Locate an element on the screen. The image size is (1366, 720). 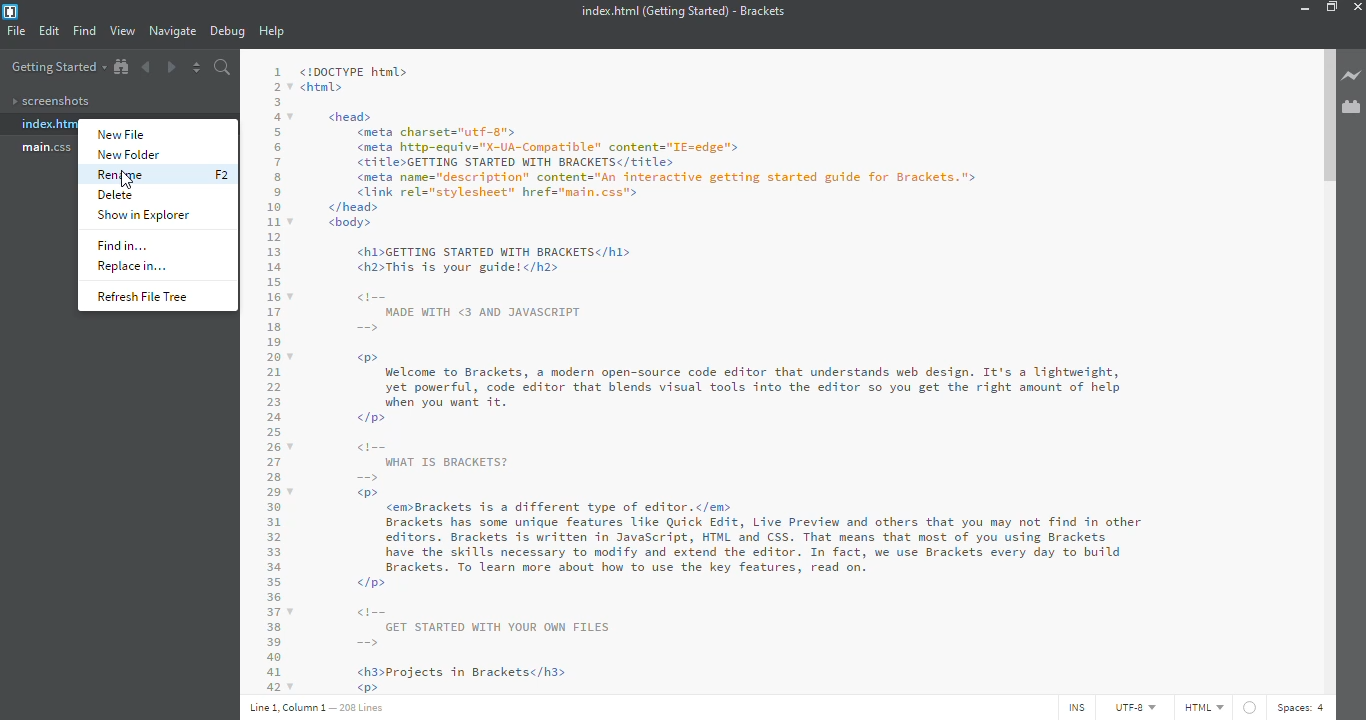
getting started is located at coordinates (57, 68).